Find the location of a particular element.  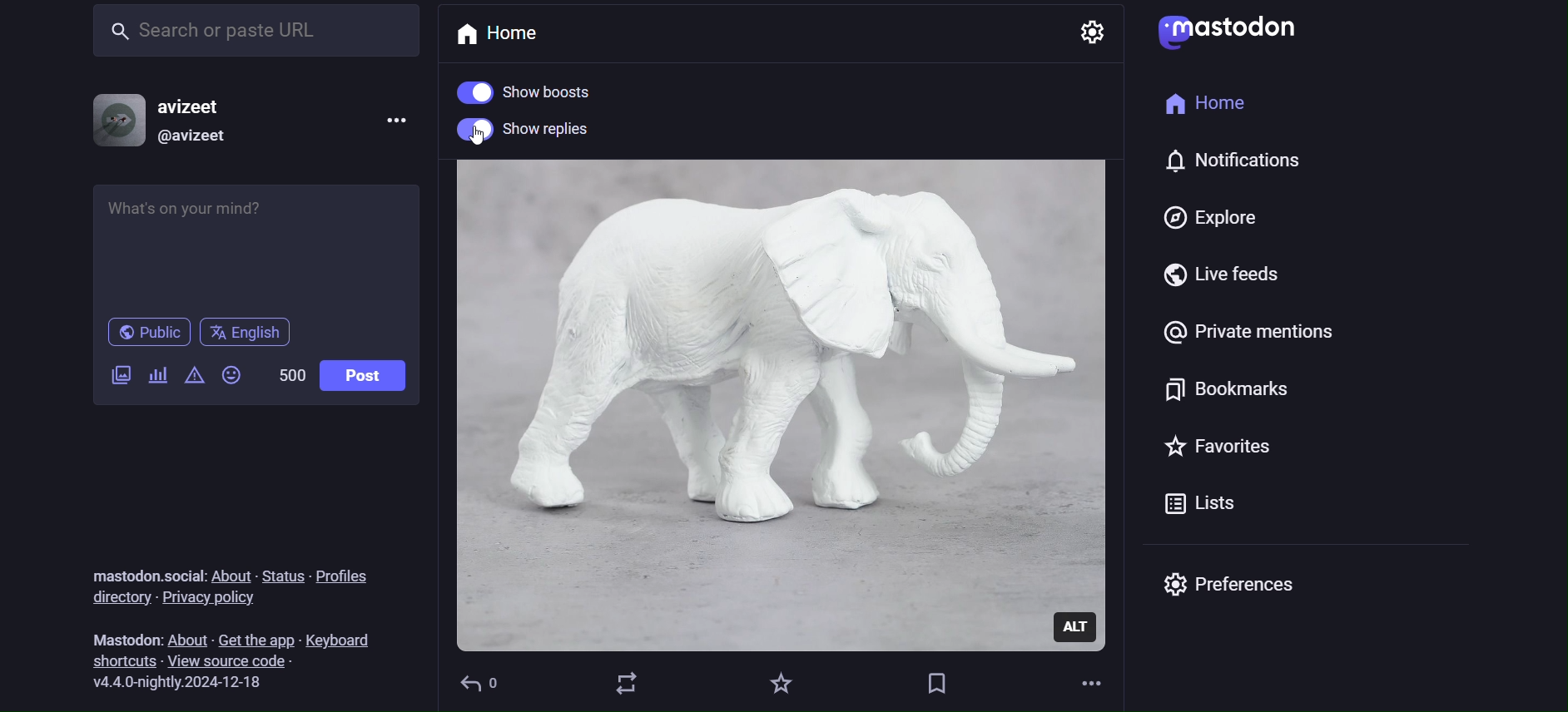

favorites is located at coordinates (782, 683).